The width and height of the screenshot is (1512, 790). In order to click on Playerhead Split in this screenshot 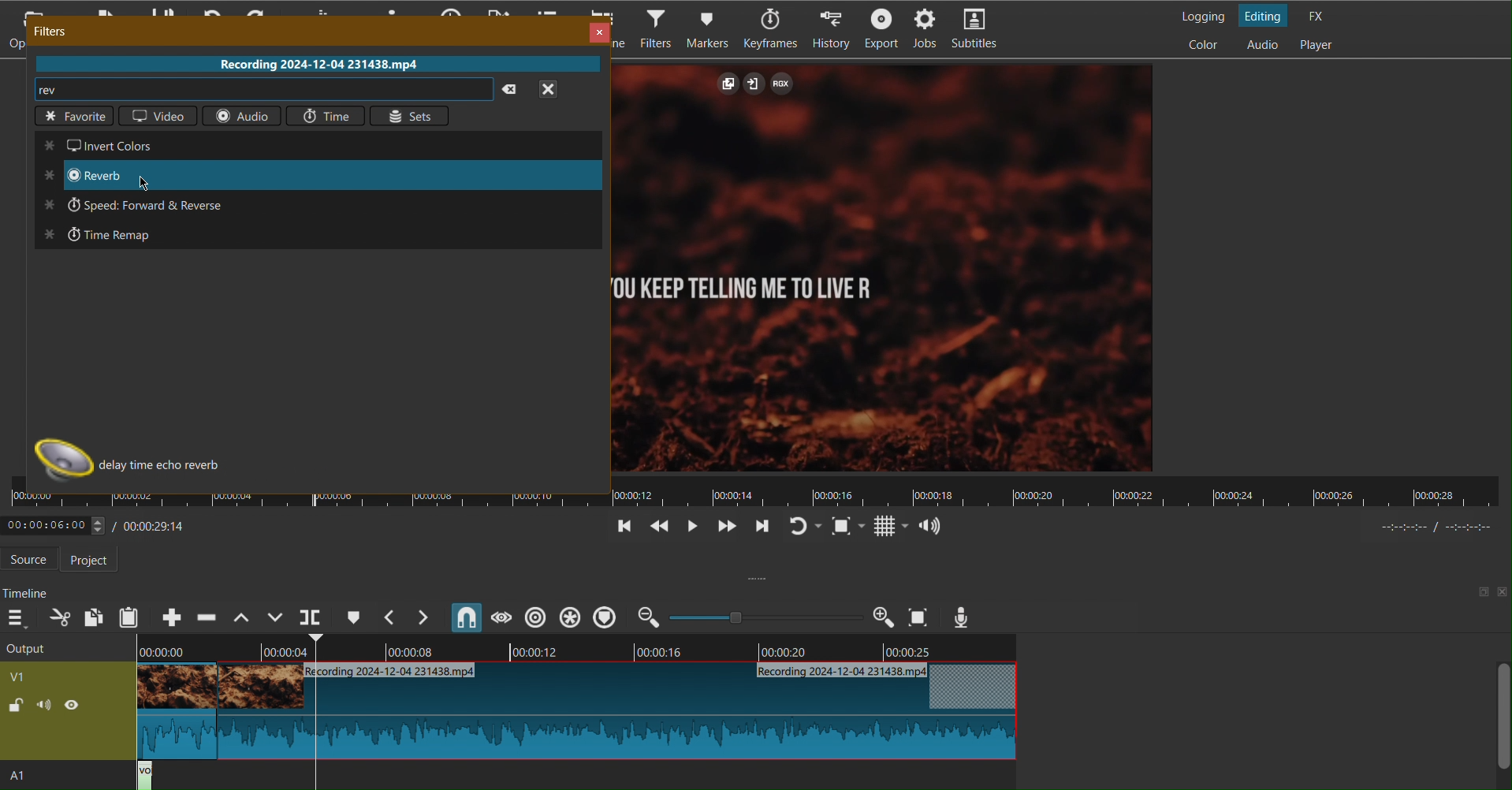, I will do `click(311, 617)`.